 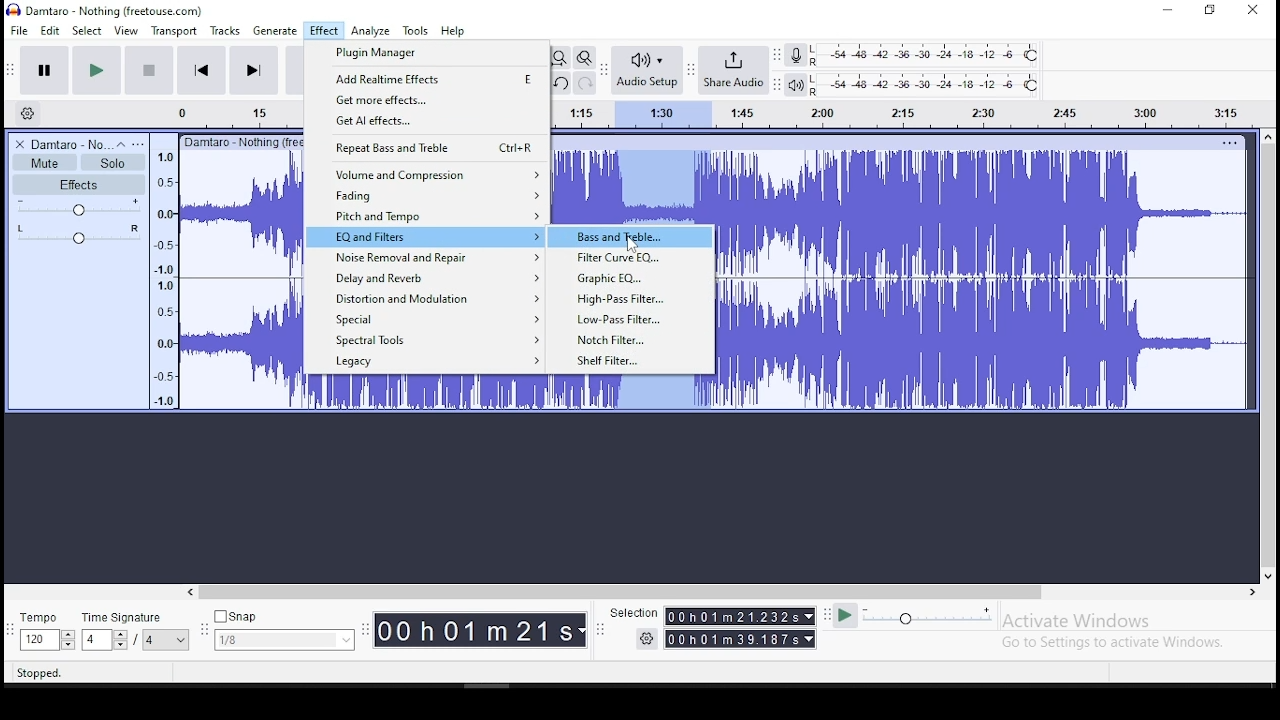 What do you see at coordinates (929, 615) in the screenshot?
I see `playback speed` at bounding box center [929, 615].